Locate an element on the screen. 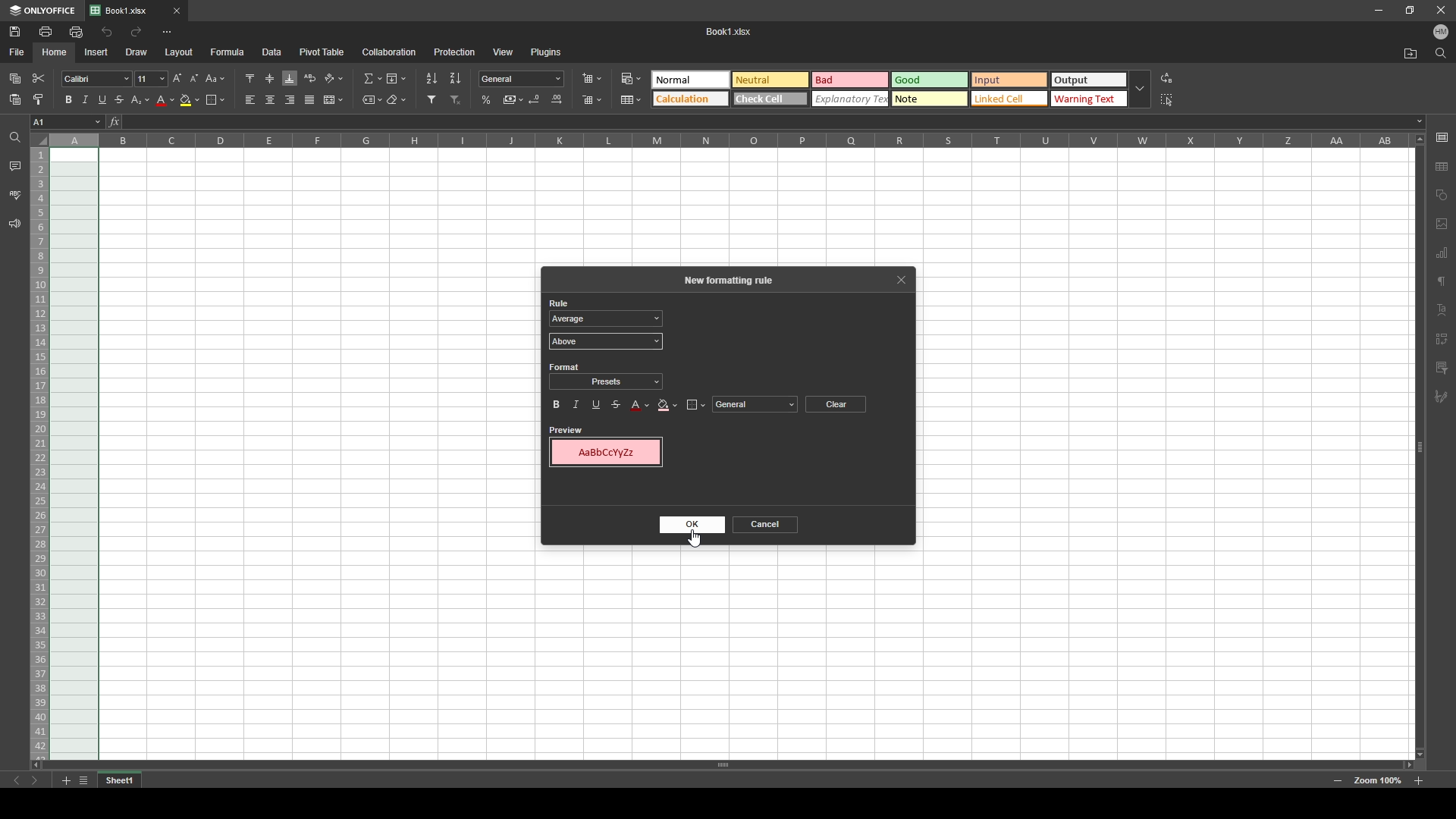 This screenshot has width=1456, height=819. above is located at coordinates (606, 340).